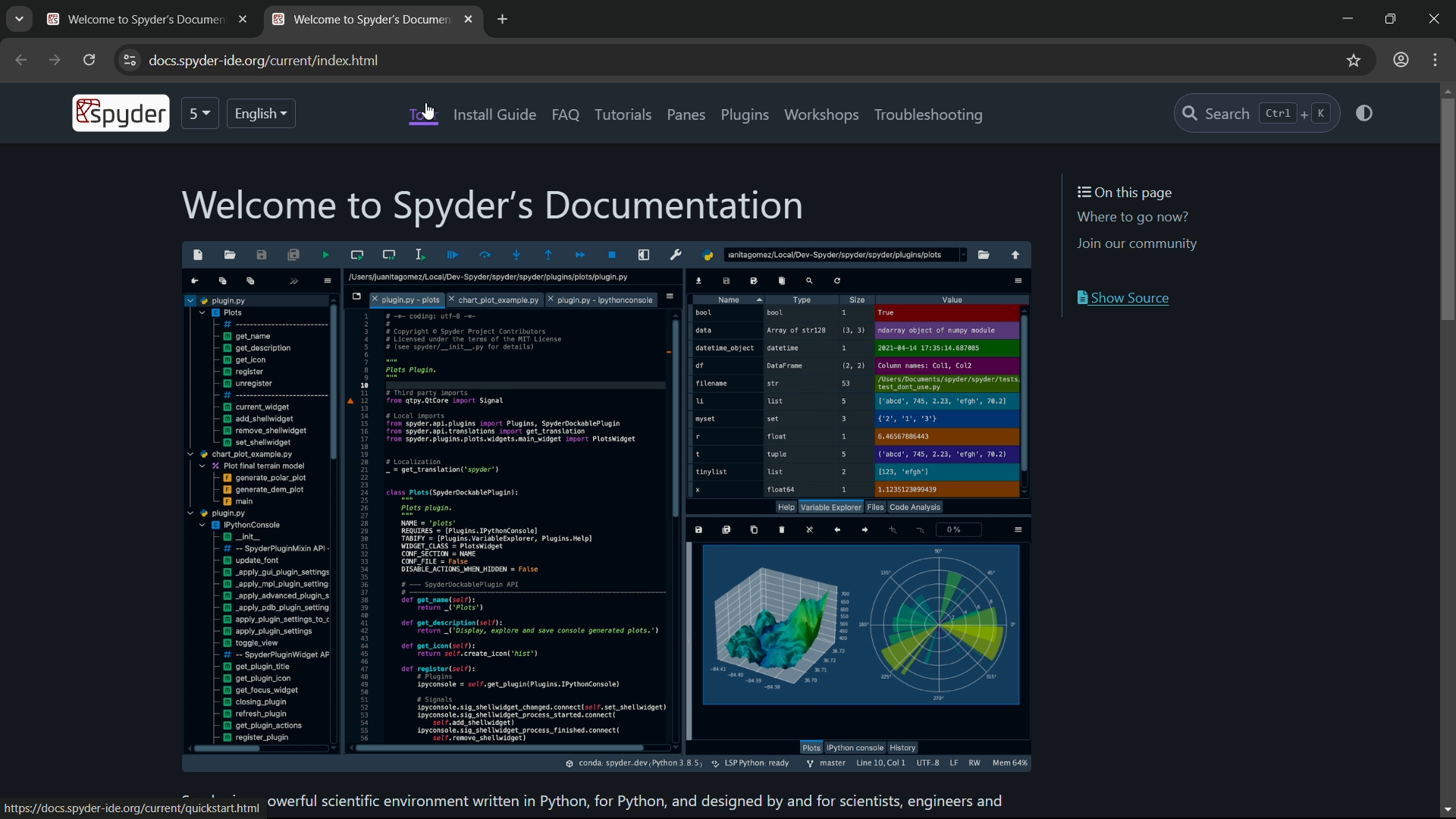 This screenshot has width=1456, height=819. I want to click on workshops, so click(822, 115).